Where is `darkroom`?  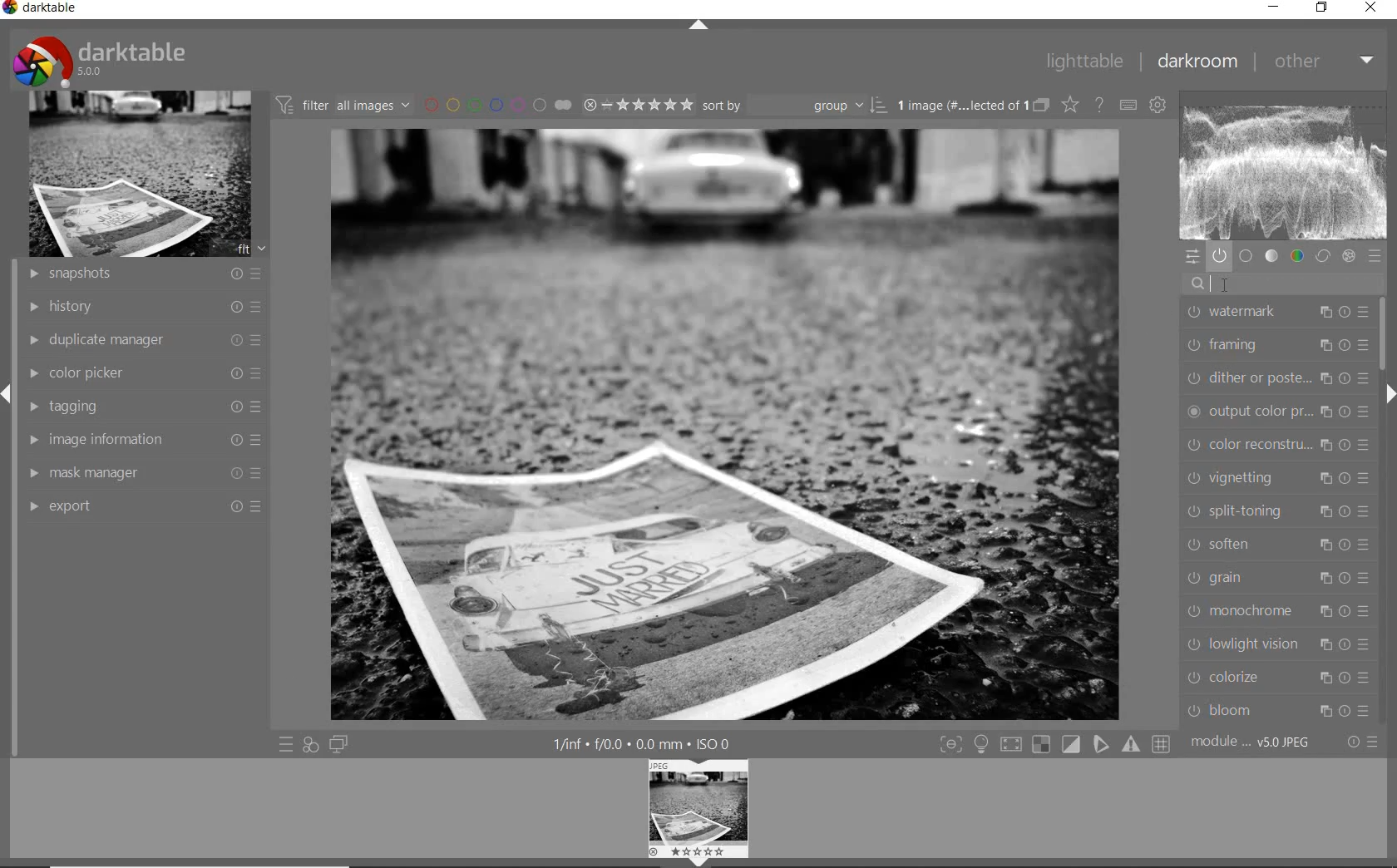
darkroom is located at coordinates (1196, 59).